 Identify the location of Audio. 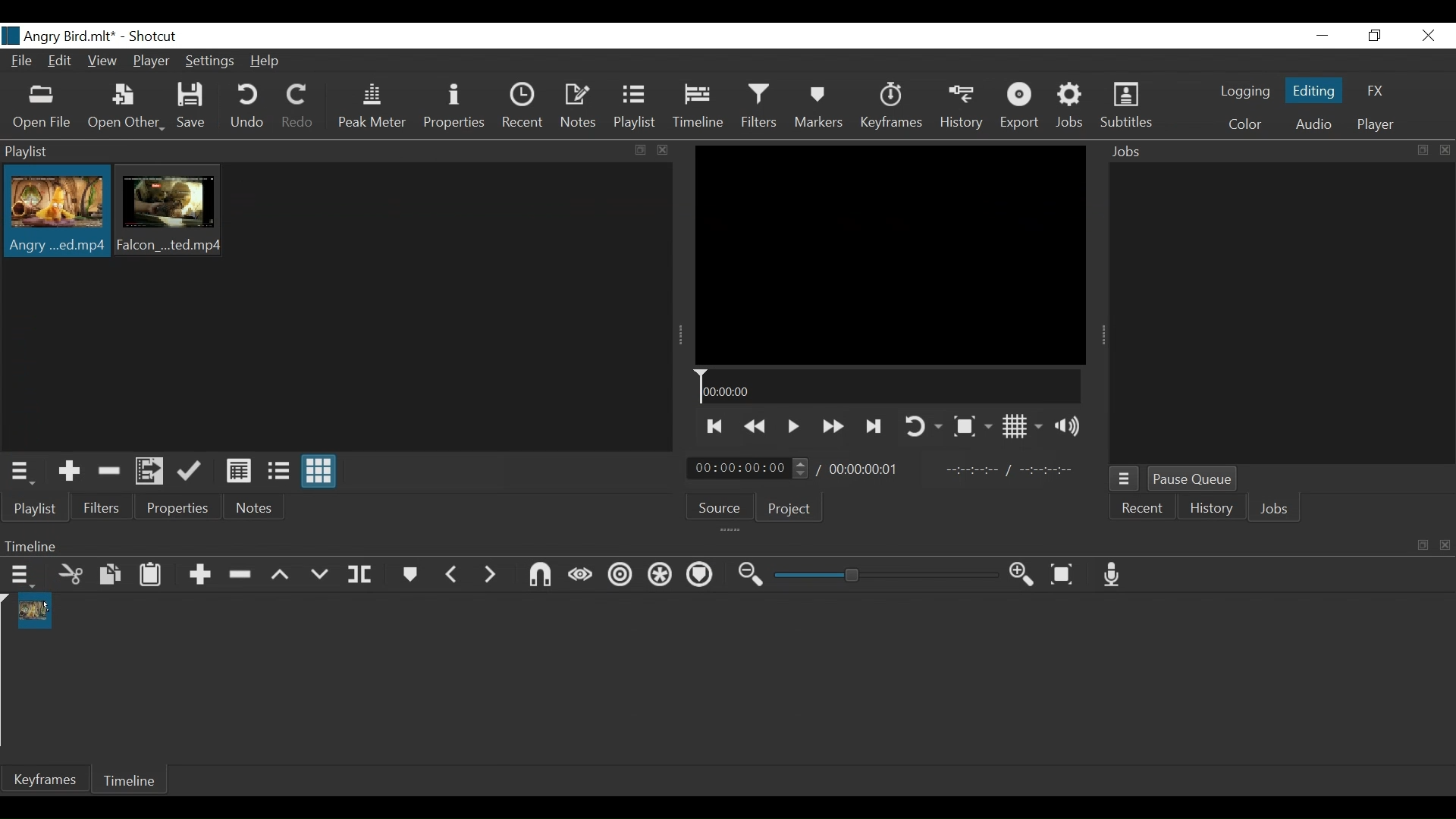
(1313, 124).